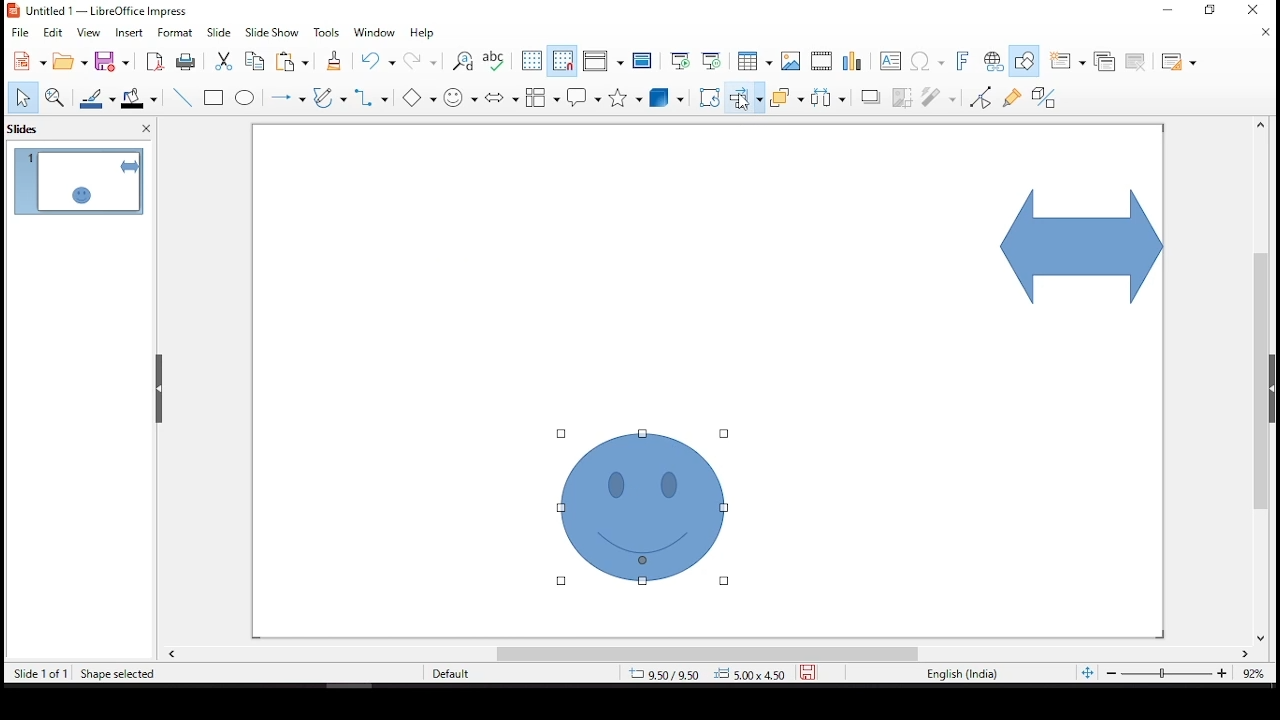 The image size is (1280, 720). What do you see at coordinates (247, 100) in the screenshot?
I see `ellipse` at bounding box center [247, 100].